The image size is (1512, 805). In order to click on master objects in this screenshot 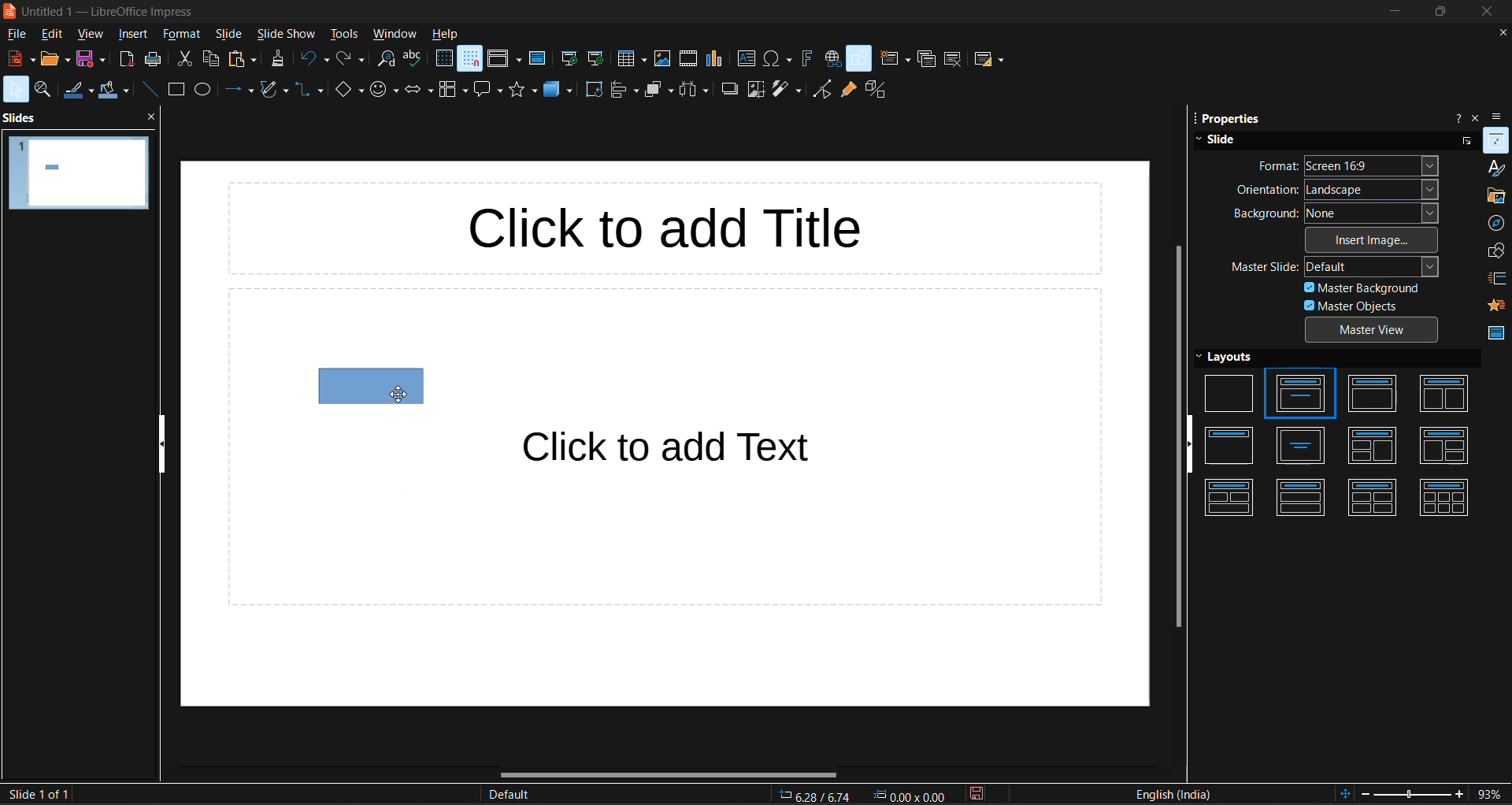, I will do `click(1345, 306)`.